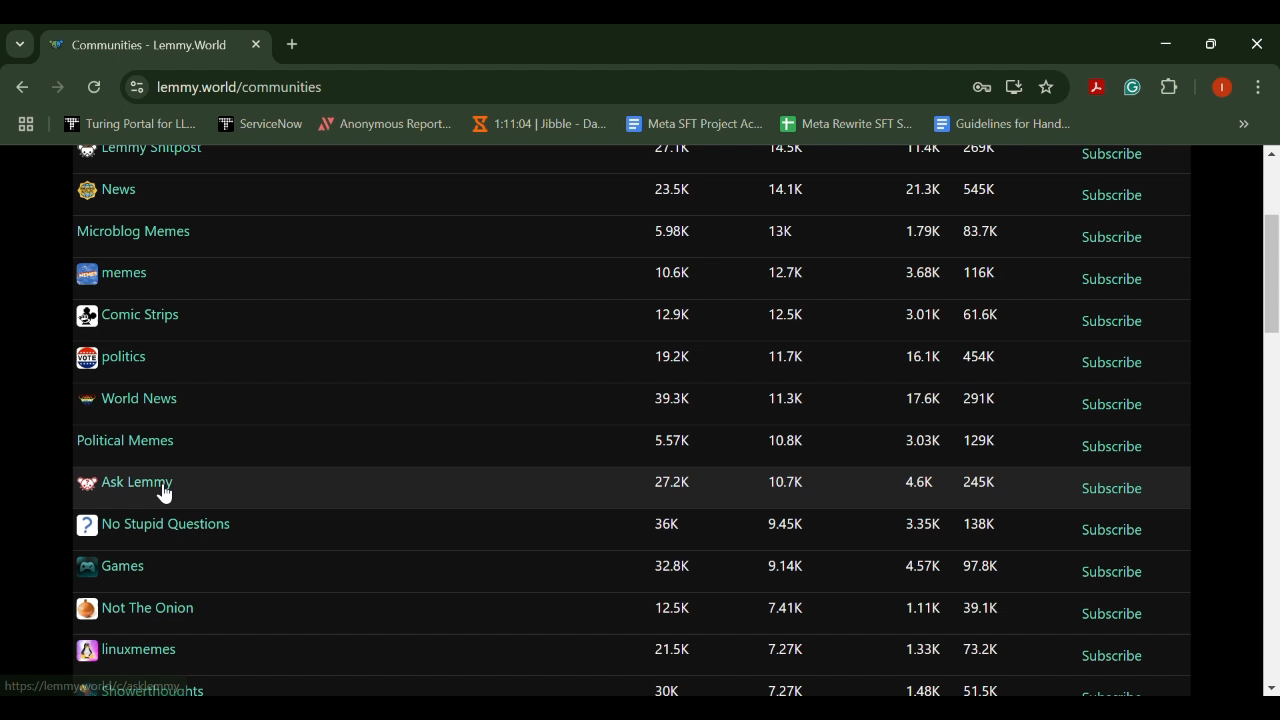 This screenshot has width=1280, height=720. What do you see at coordinates (1112, 694) in the screenshot?
I see `Subscribe` at bounding box center [1112, 694].